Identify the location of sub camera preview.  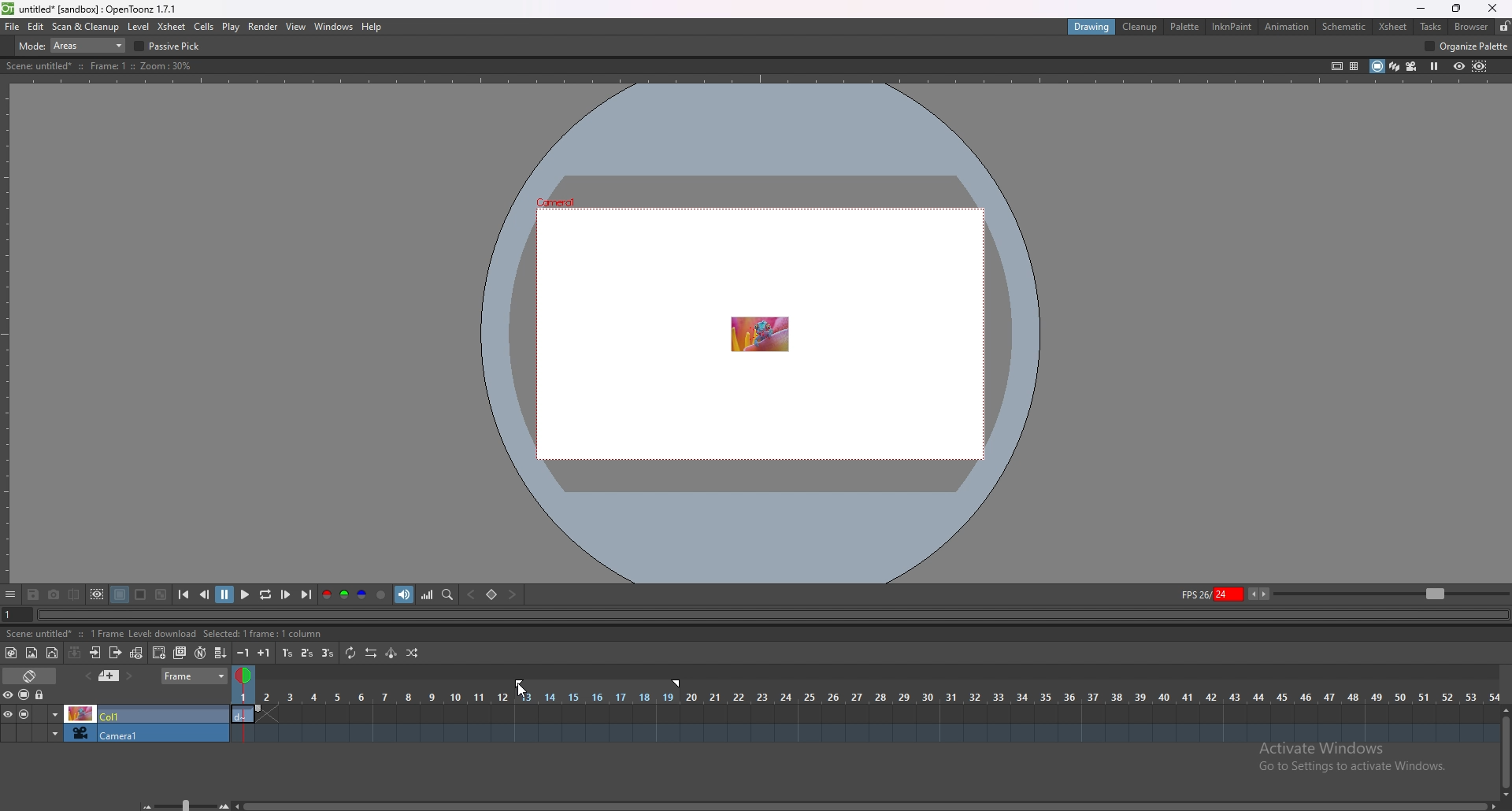
(1480, 67).